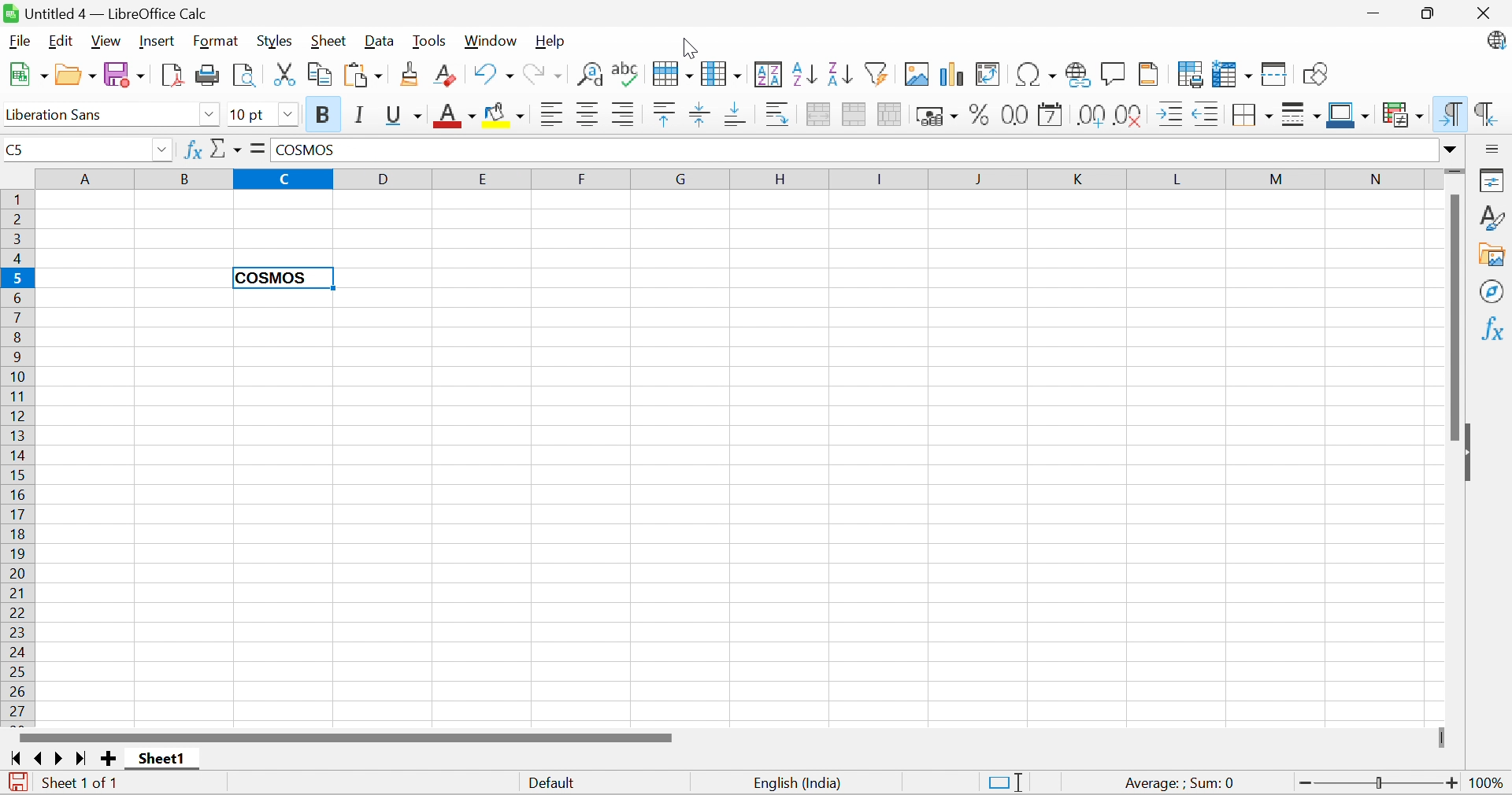 The height and width of the screenshot is (795, 1512). I want to click on Paste, so click(366, 74).